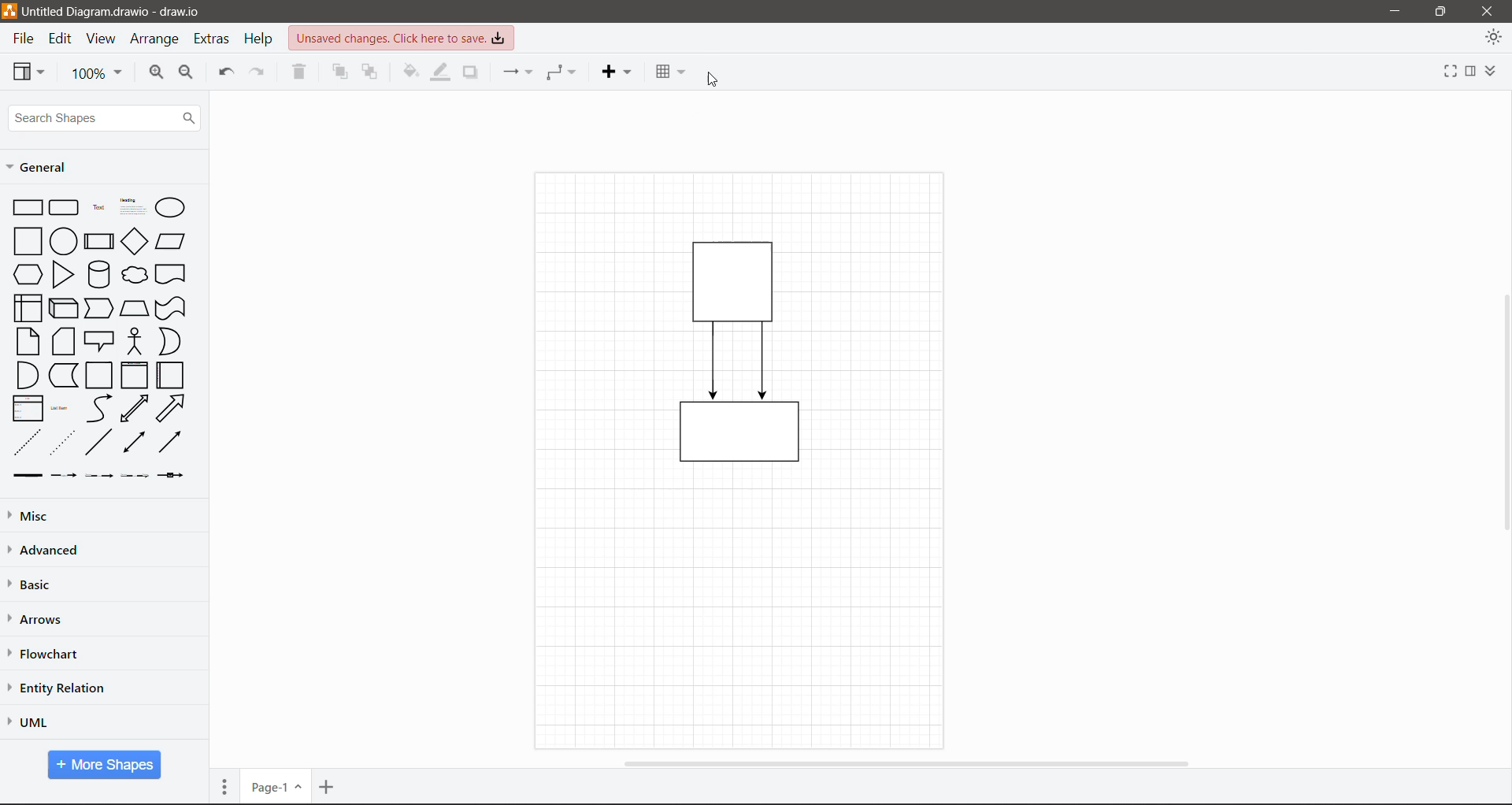  I want to click on Extras, so click(213, 39).